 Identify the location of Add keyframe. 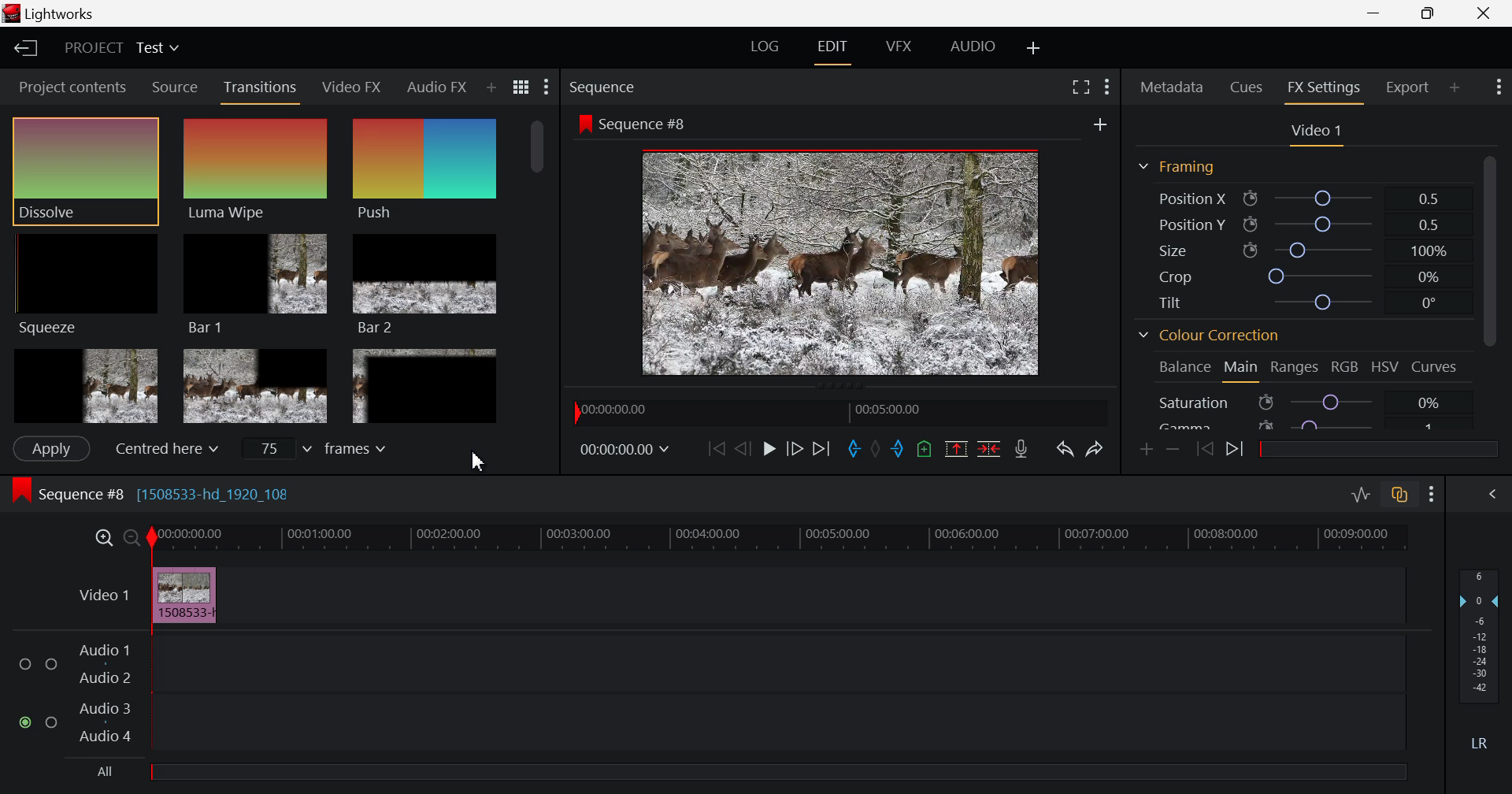
(1147, 451).